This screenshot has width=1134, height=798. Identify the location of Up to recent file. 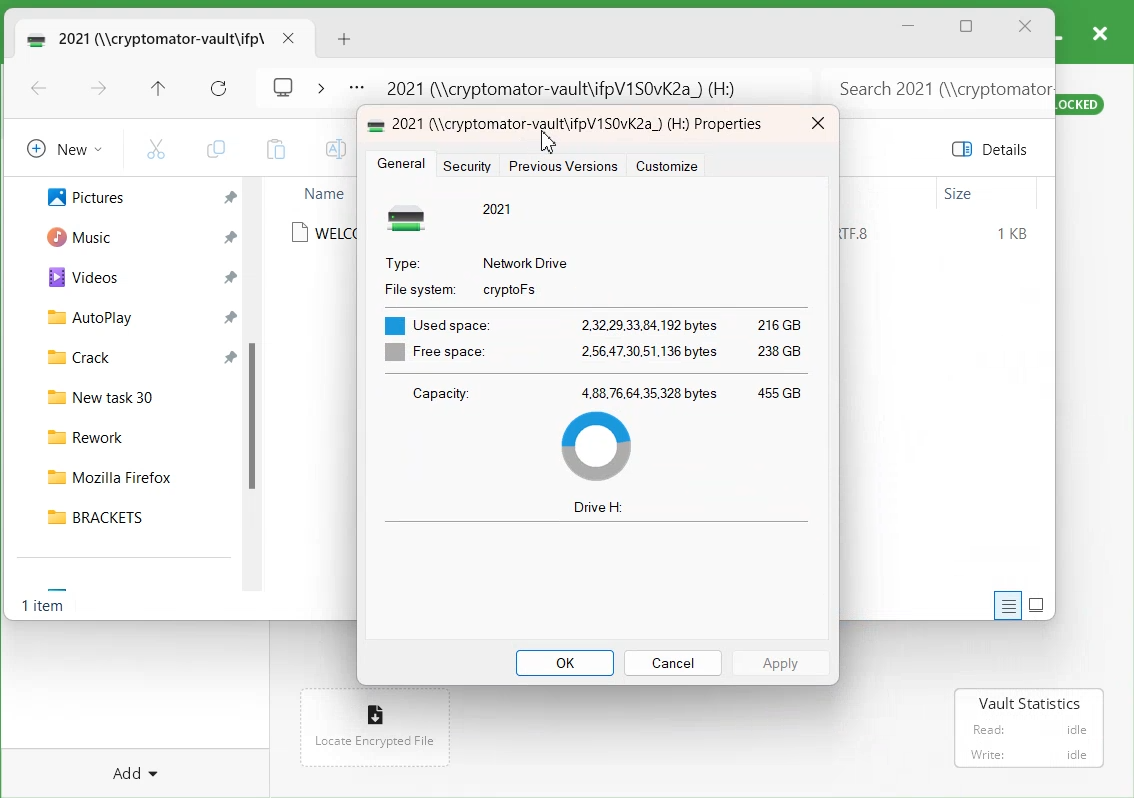
(158, 90).